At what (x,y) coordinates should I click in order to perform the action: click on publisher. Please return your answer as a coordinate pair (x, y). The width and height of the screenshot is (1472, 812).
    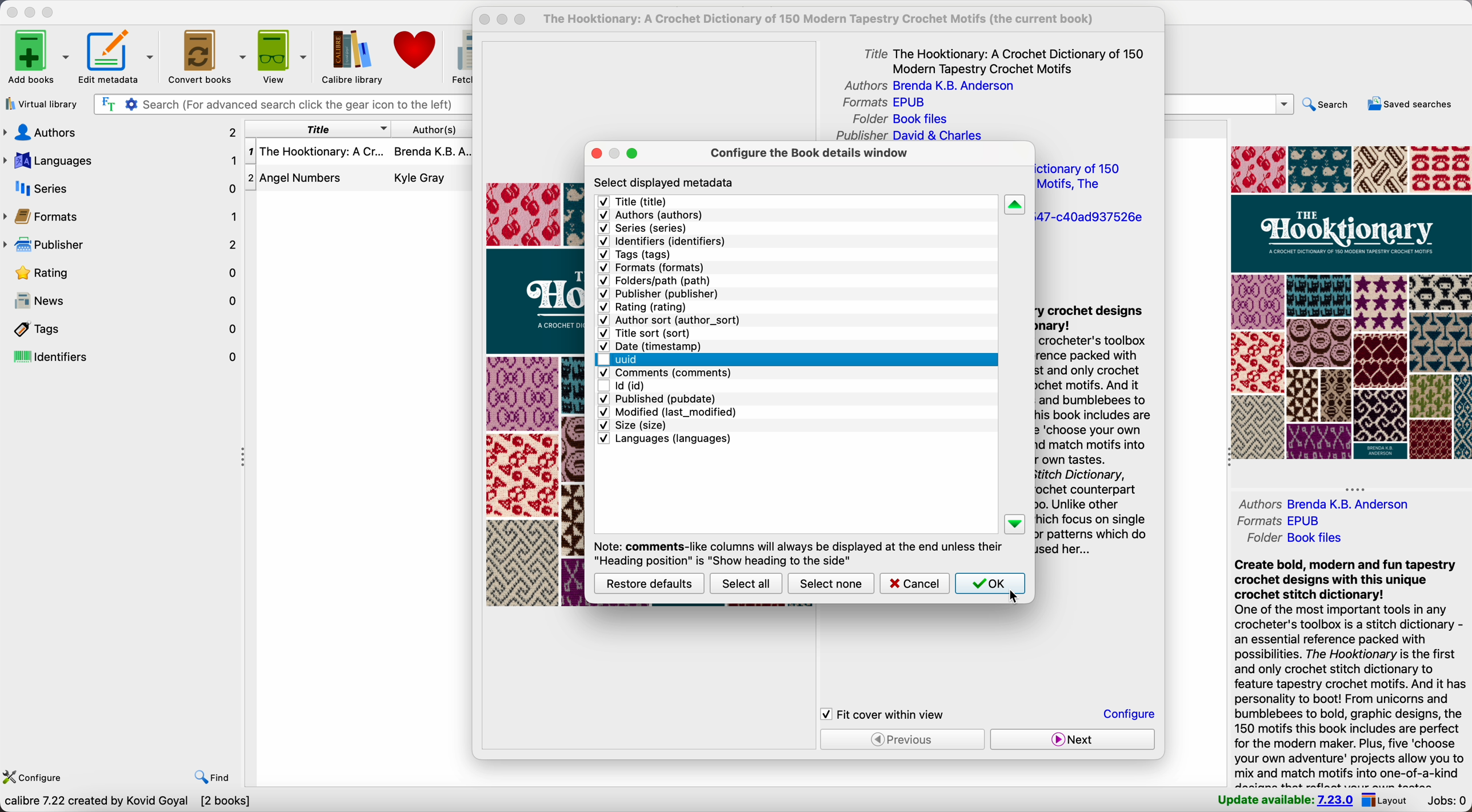
    Looking at the image, I should click on (660, 294).